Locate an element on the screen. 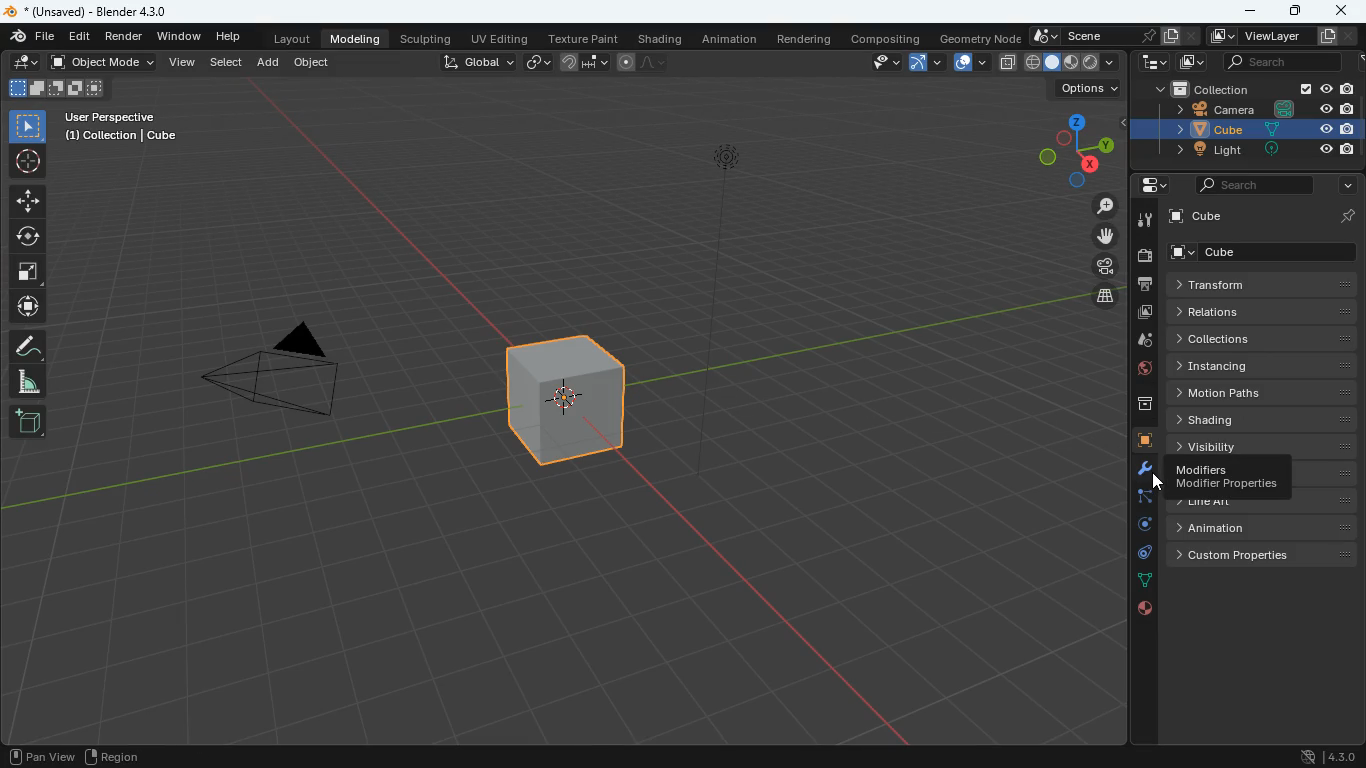  object mode is located at coordinates (102, 61).